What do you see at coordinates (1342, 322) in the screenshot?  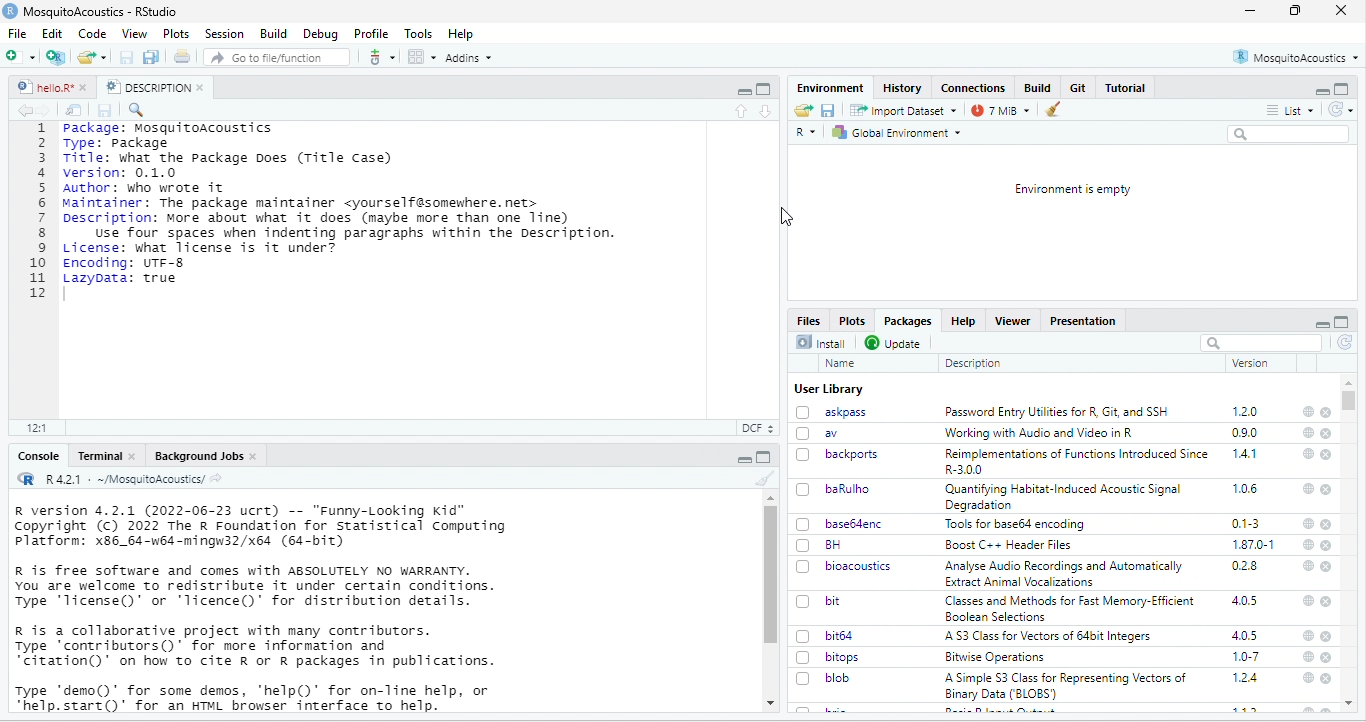 I see `full screen` at bounding box center [1342, 322].